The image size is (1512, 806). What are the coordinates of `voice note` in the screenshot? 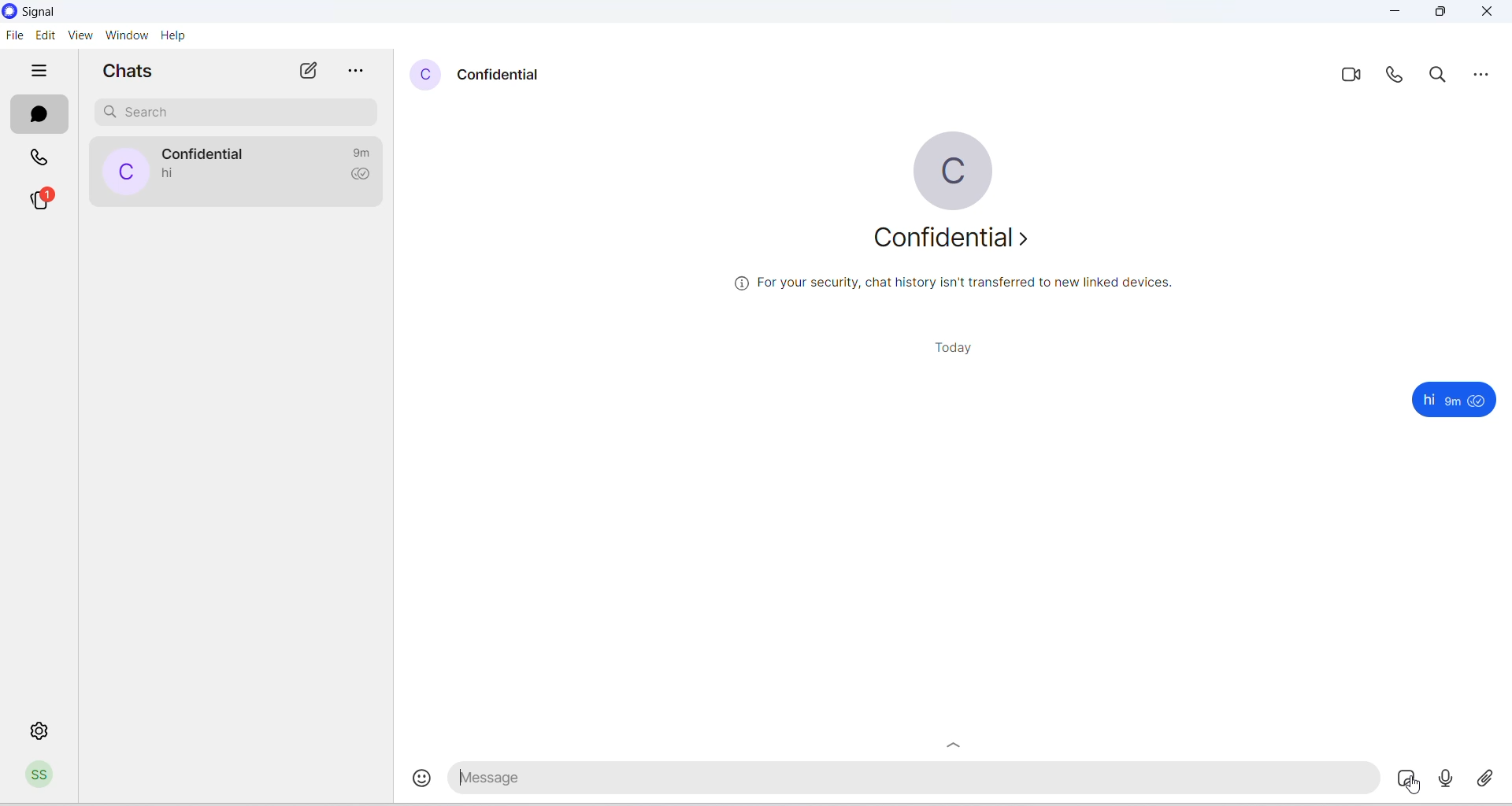 It's located at (1447, 778).